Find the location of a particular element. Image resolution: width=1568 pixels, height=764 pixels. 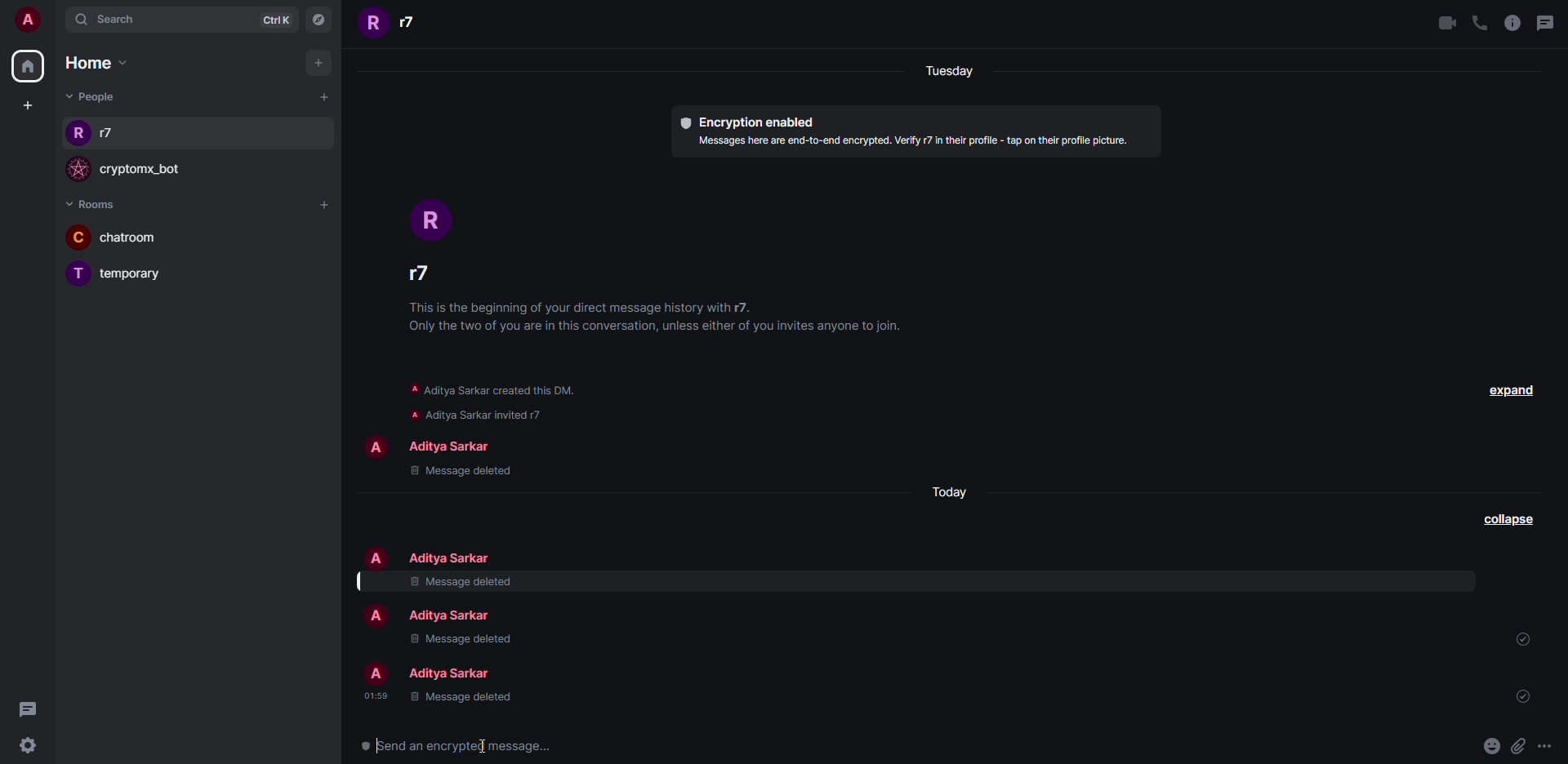

profile is located at coordinates (377, 617).